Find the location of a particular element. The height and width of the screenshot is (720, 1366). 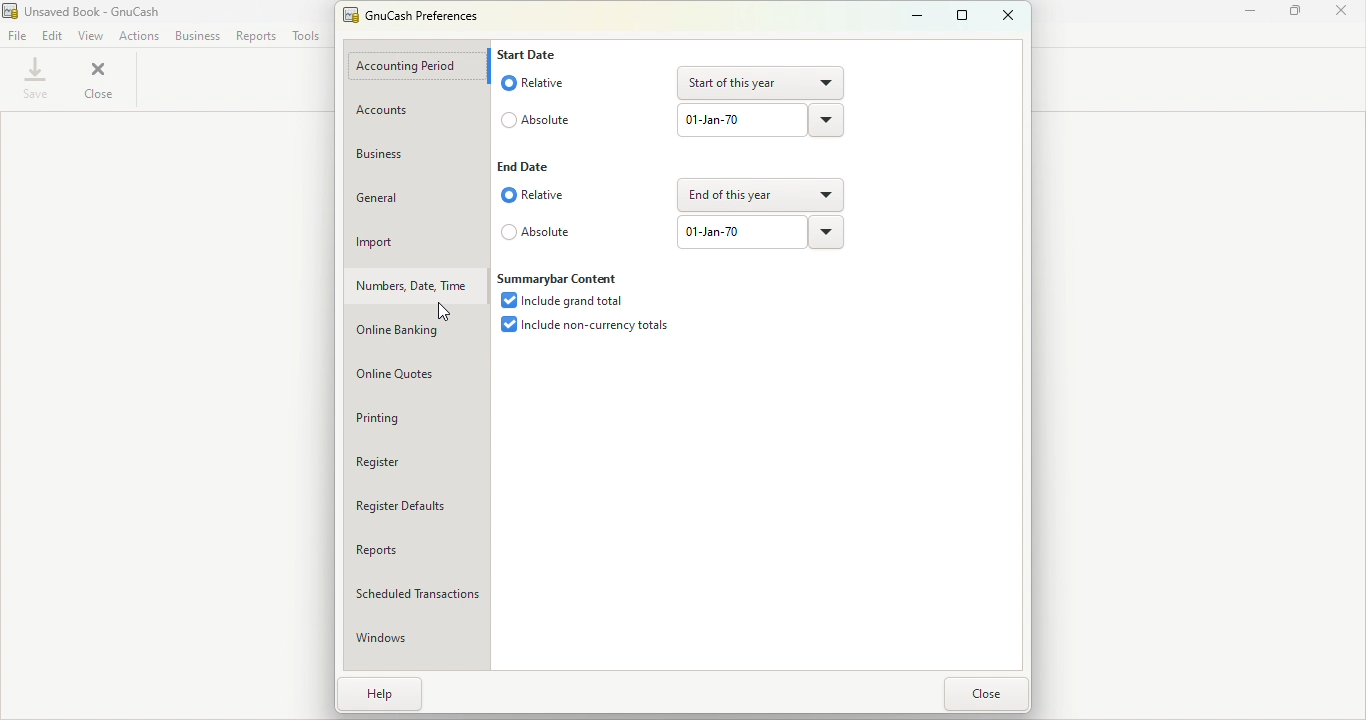

Reports is located at coordinates (258, 37).